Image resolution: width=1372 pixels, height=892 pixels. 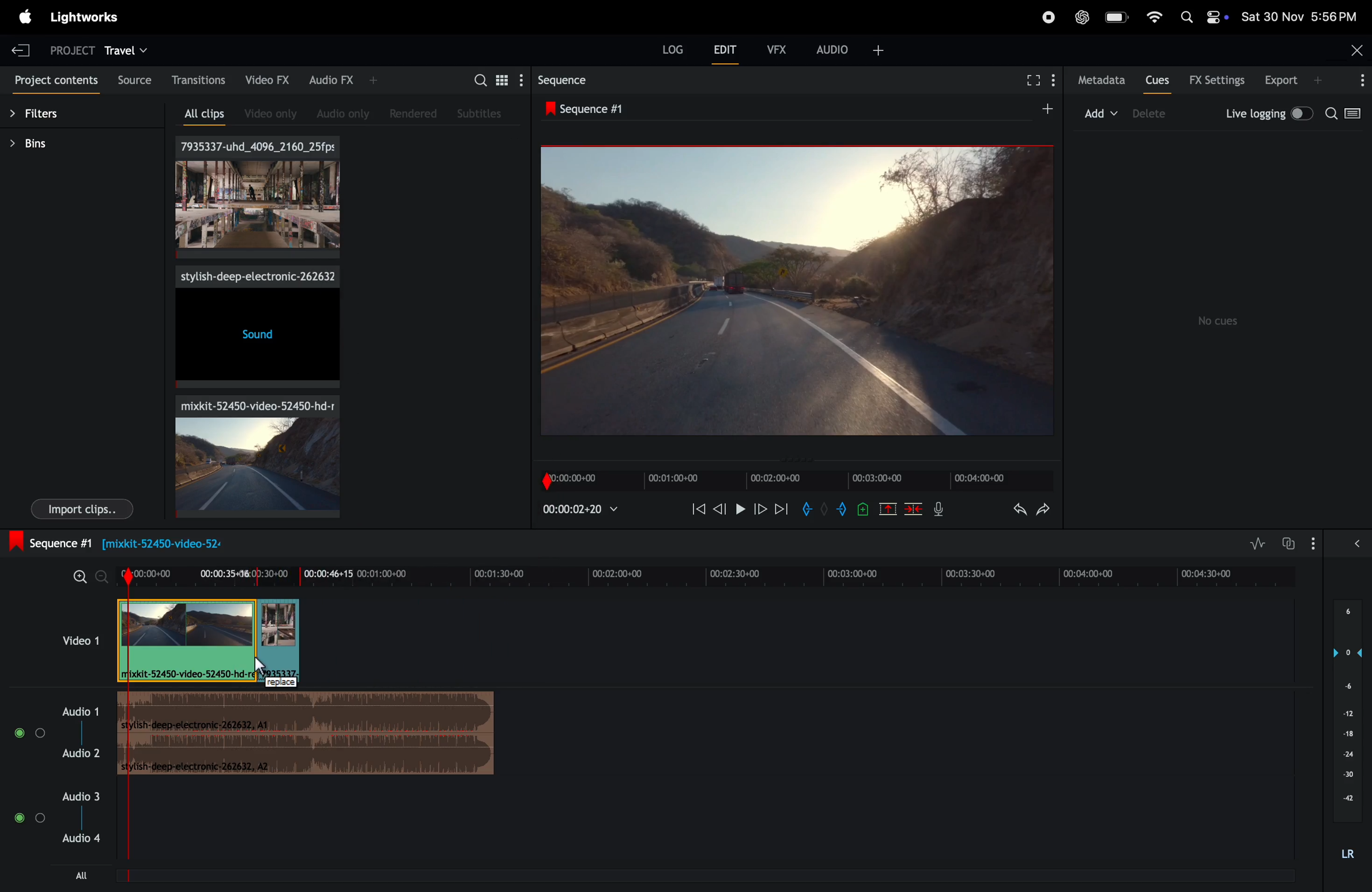 What do you see at coordinates (706, 572) in the screenshot?
I see `time frame` at bounding box center [706, 572].